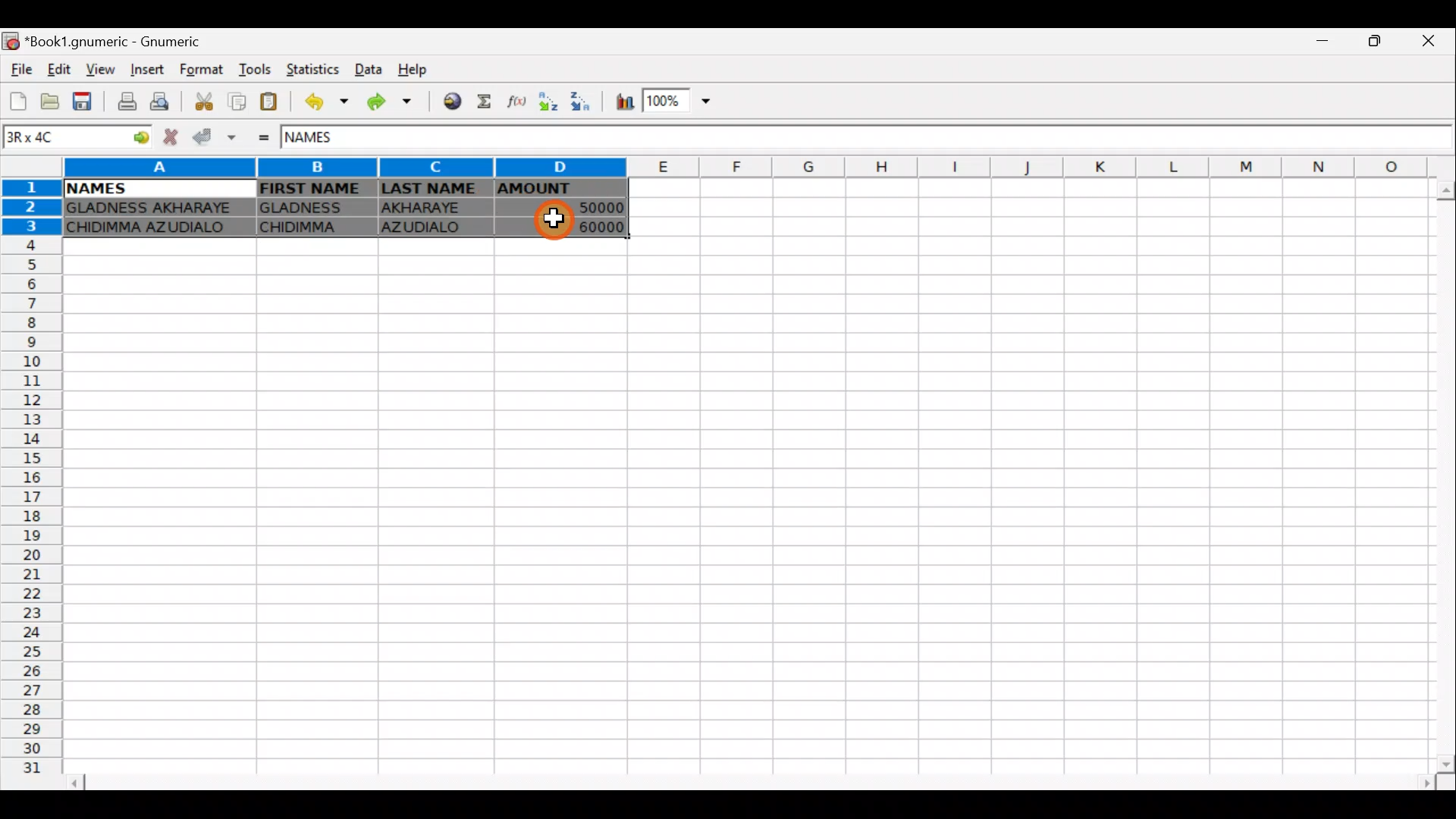 This screenshot has width=1456, height=819. What do you see at coordinates (423, 66) in the screenshot?
I see `Help` at bounding box center [423, 66].